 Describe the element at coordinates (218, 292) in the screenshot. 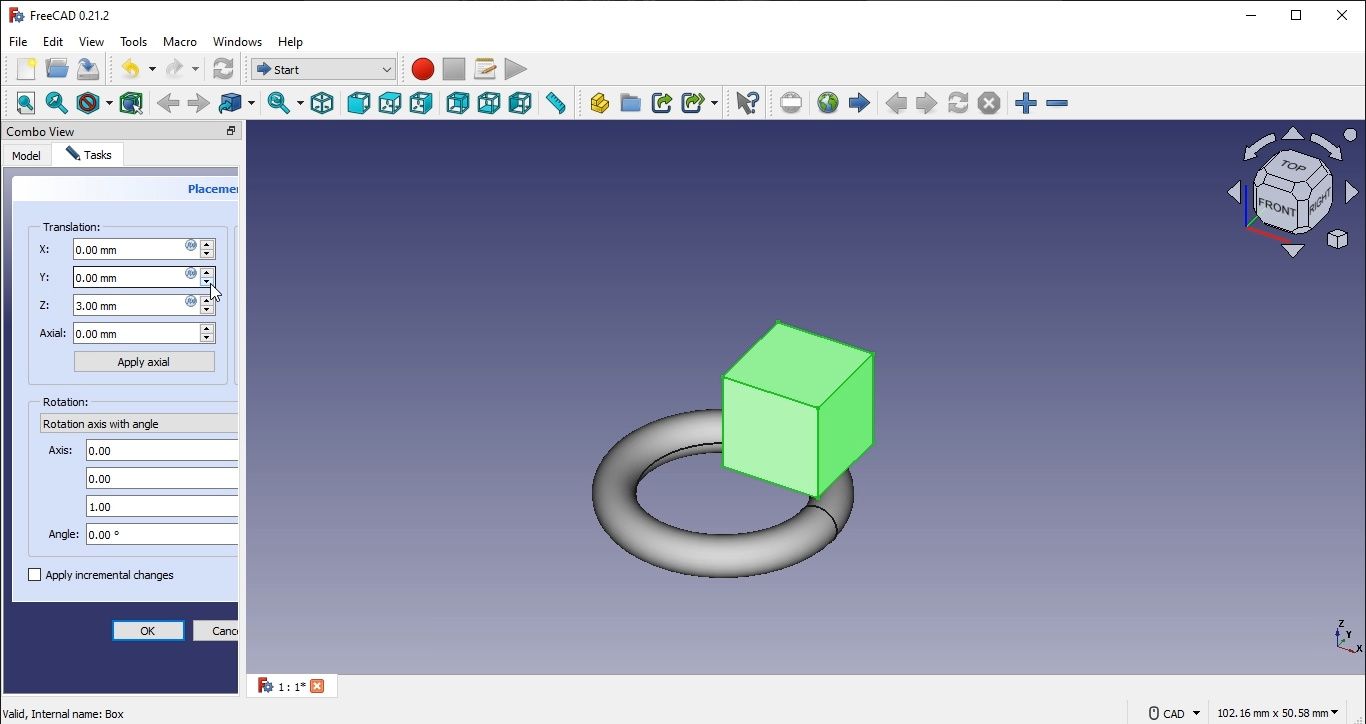

I see `navigation` at that location.